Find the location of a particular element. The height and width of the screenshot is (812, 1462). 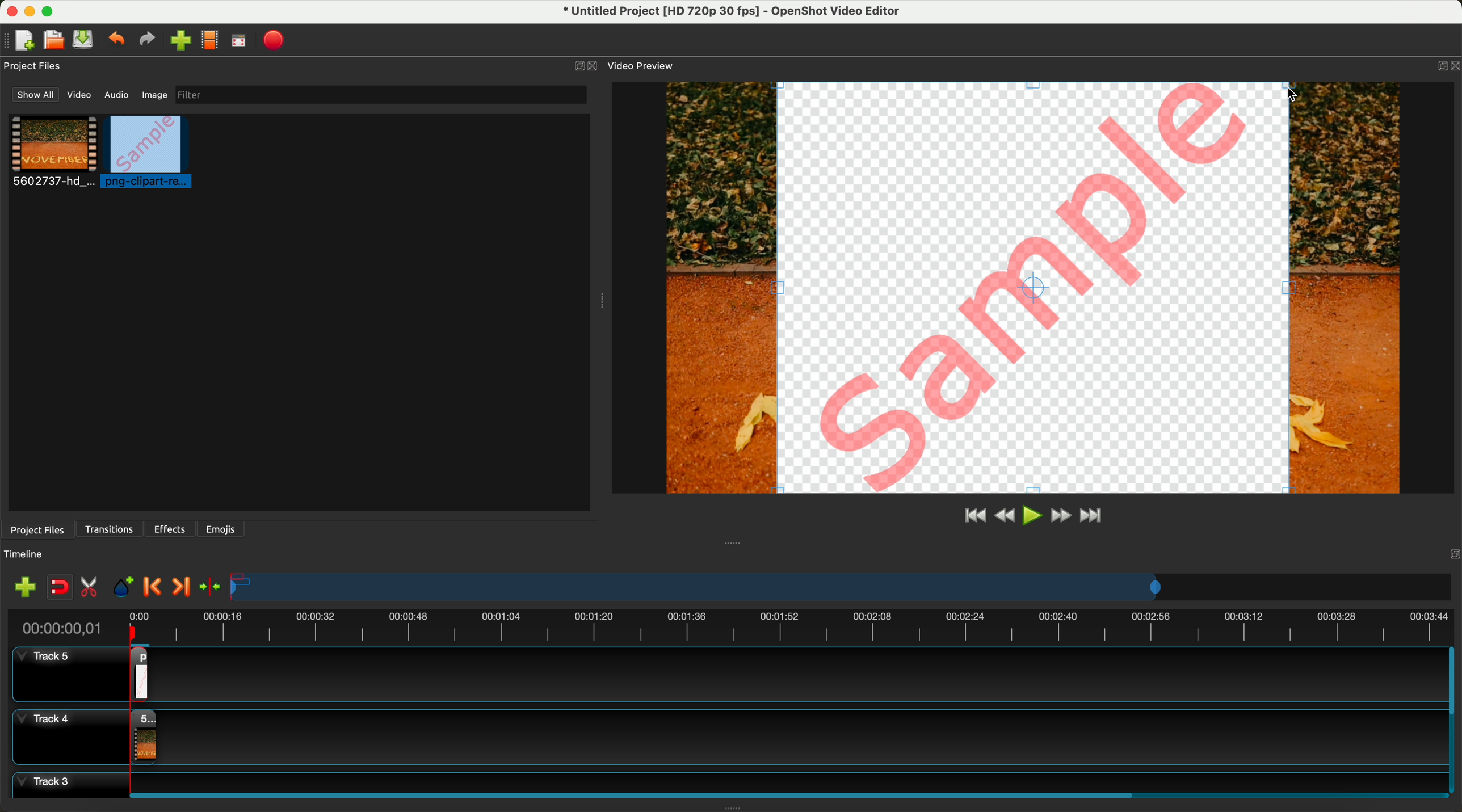

video is located at coordinates (54, 153).